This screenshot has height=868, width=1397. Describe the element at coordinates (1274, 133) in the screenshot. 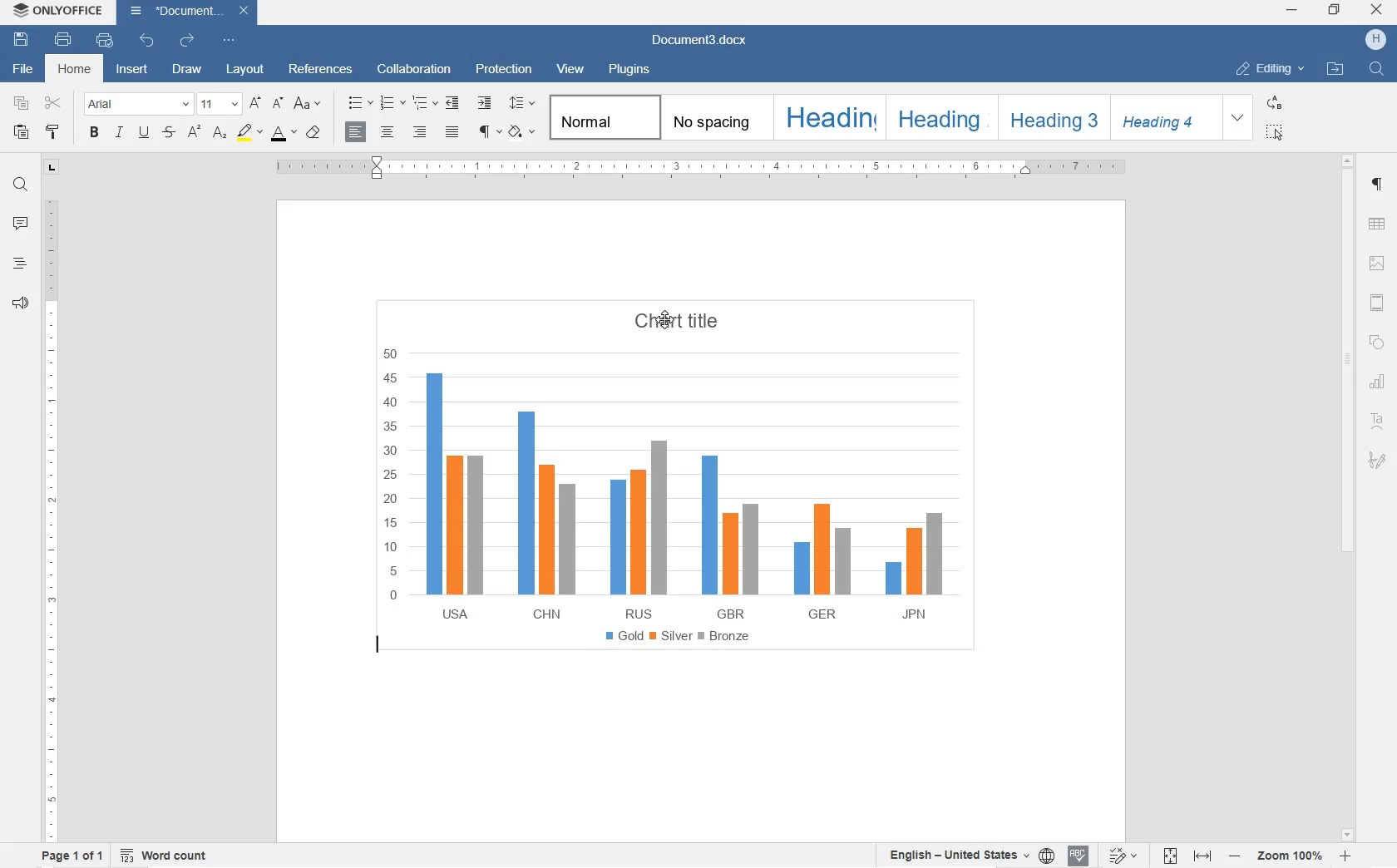

I see `SELECT ALL` at that location.